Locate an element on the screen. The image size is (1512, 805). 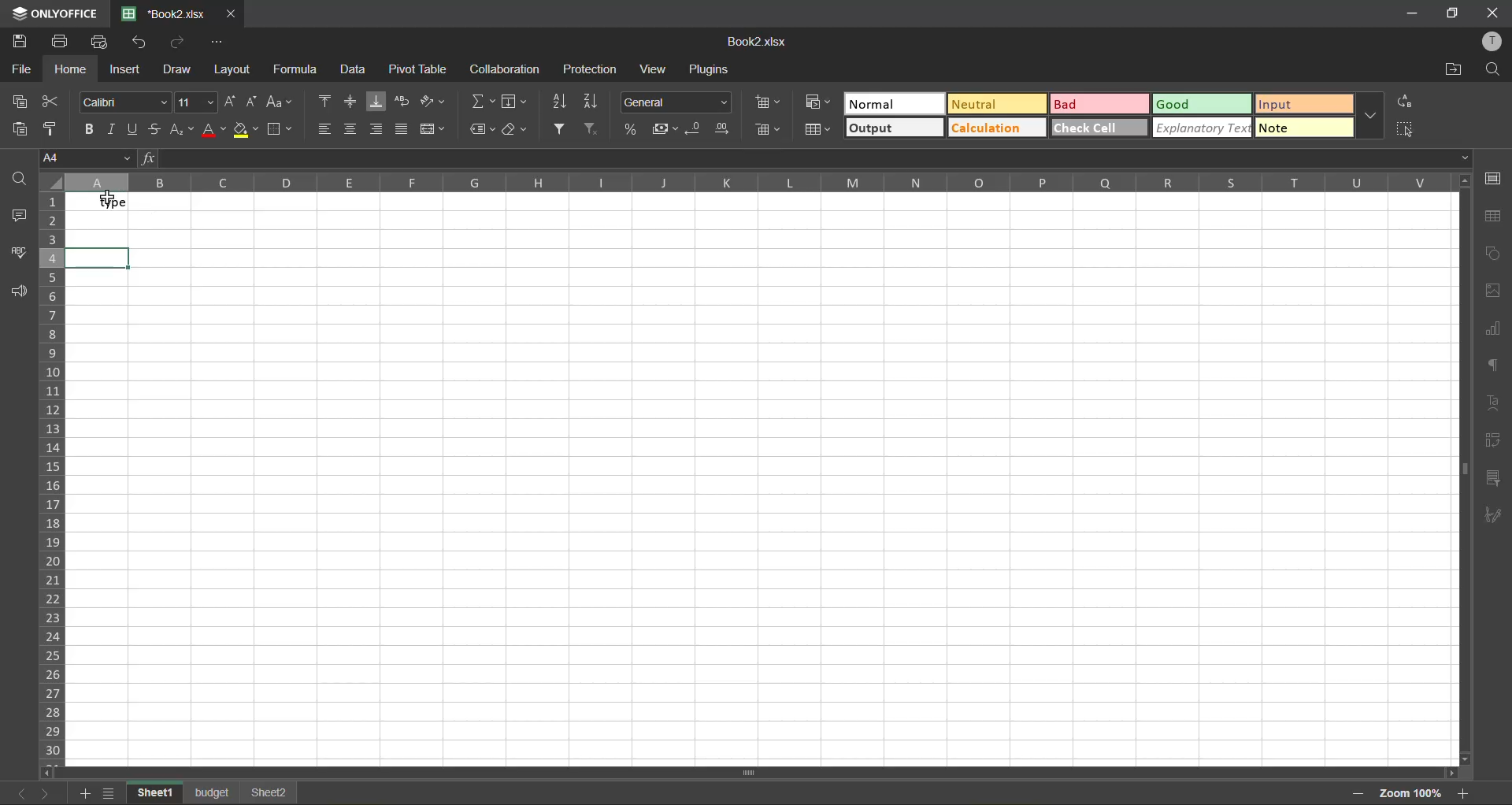
sheet names is located at coordinates (216, 793).